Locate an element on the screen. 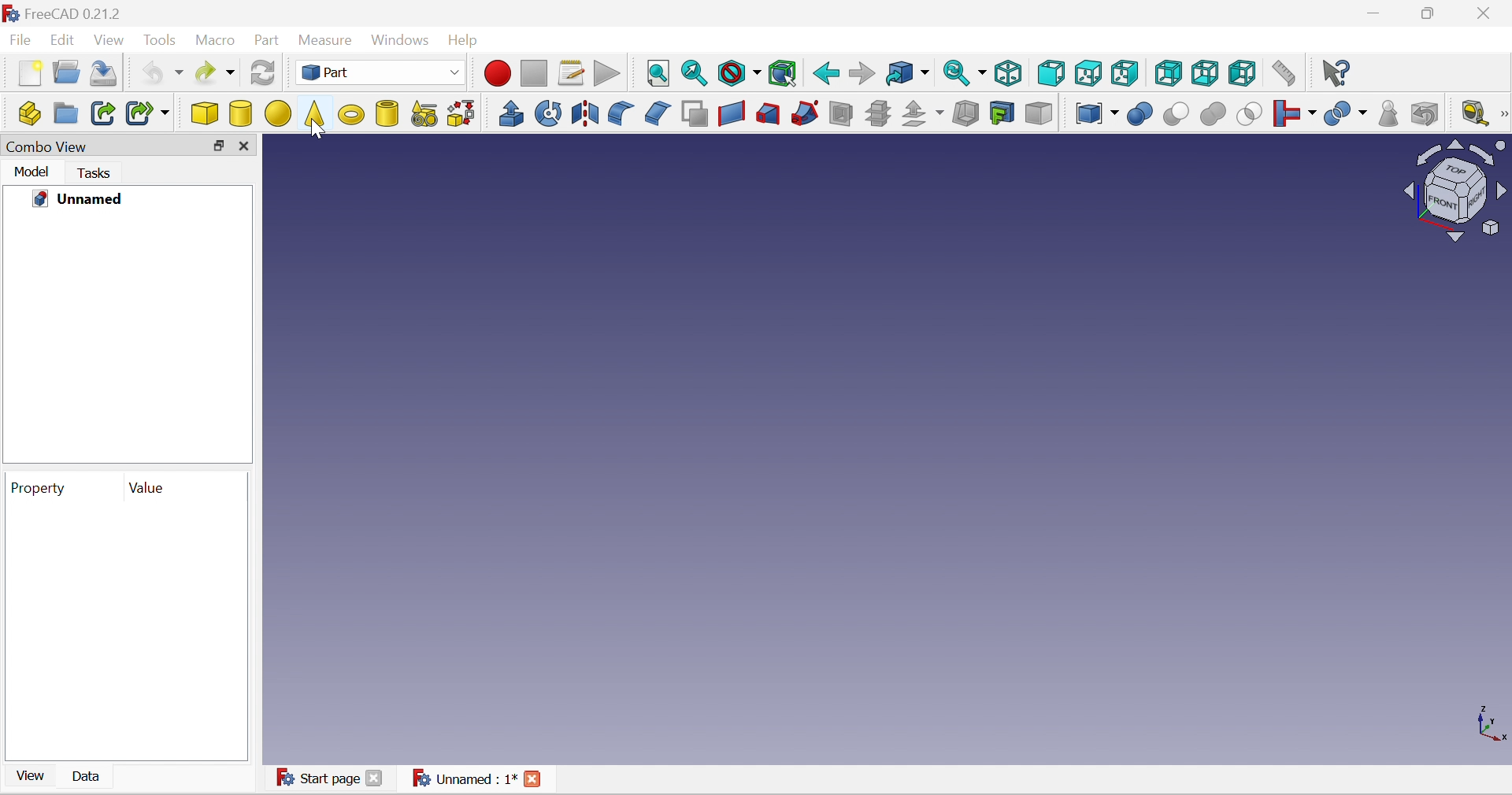  Close is located at coordinates (245, 146).